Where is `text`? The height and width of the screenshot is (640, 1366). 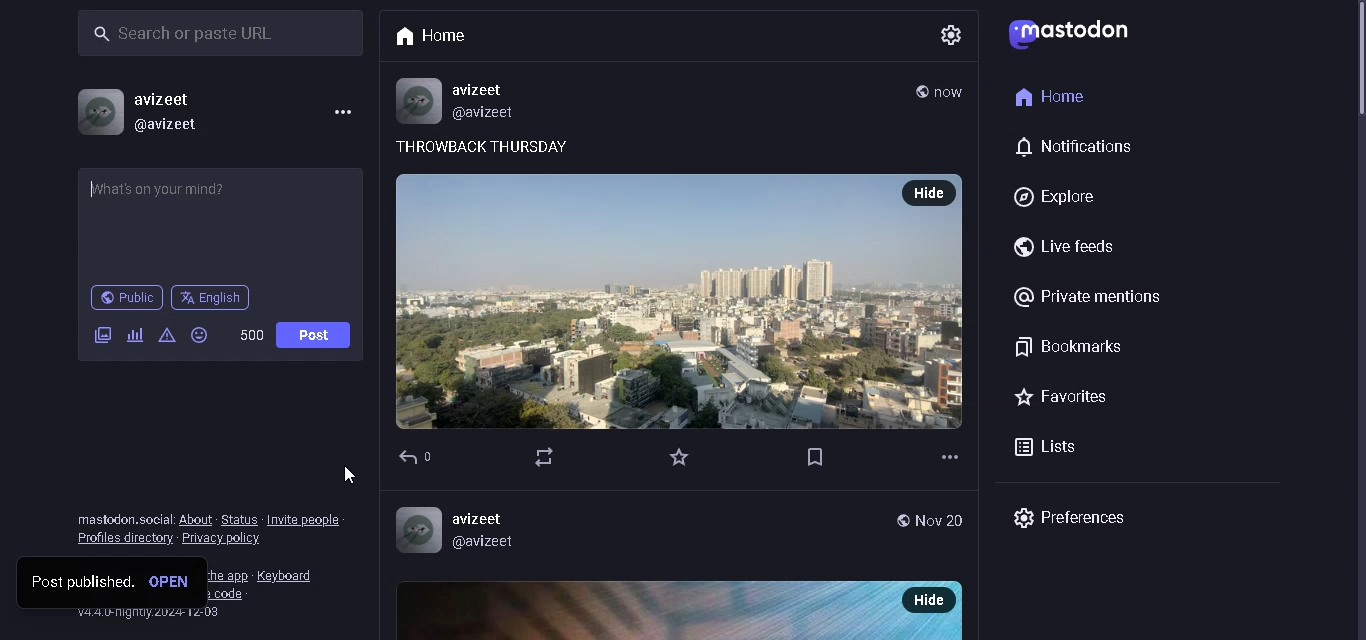
text is located at coordinates (124, 520).